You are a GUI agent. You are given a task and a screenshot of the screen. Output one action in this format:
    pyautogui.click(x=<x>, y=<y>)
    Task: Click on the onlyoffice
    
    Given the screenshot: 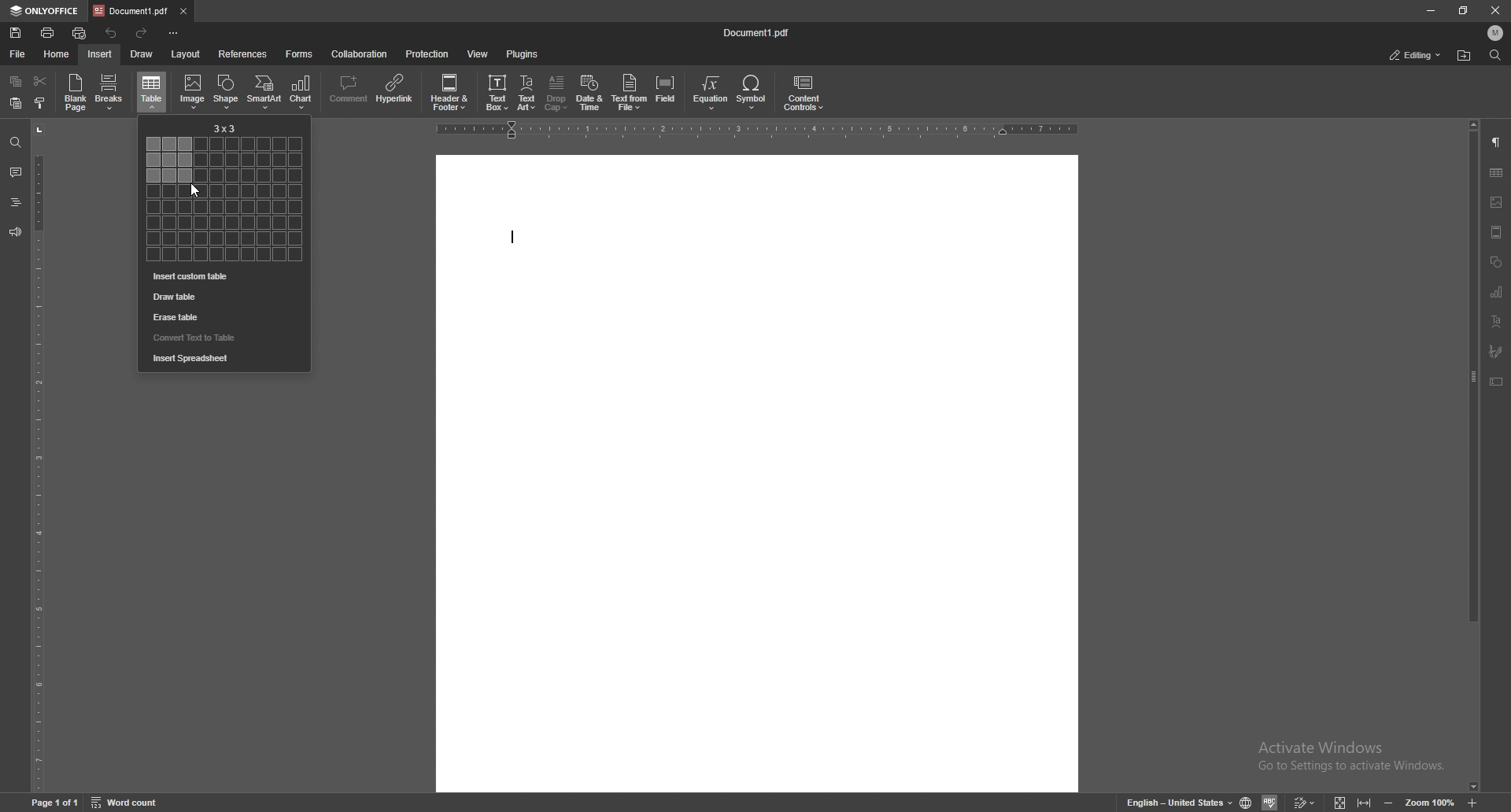 What is the action you would take?
    pyautogui.click(x=47, y=12)
    